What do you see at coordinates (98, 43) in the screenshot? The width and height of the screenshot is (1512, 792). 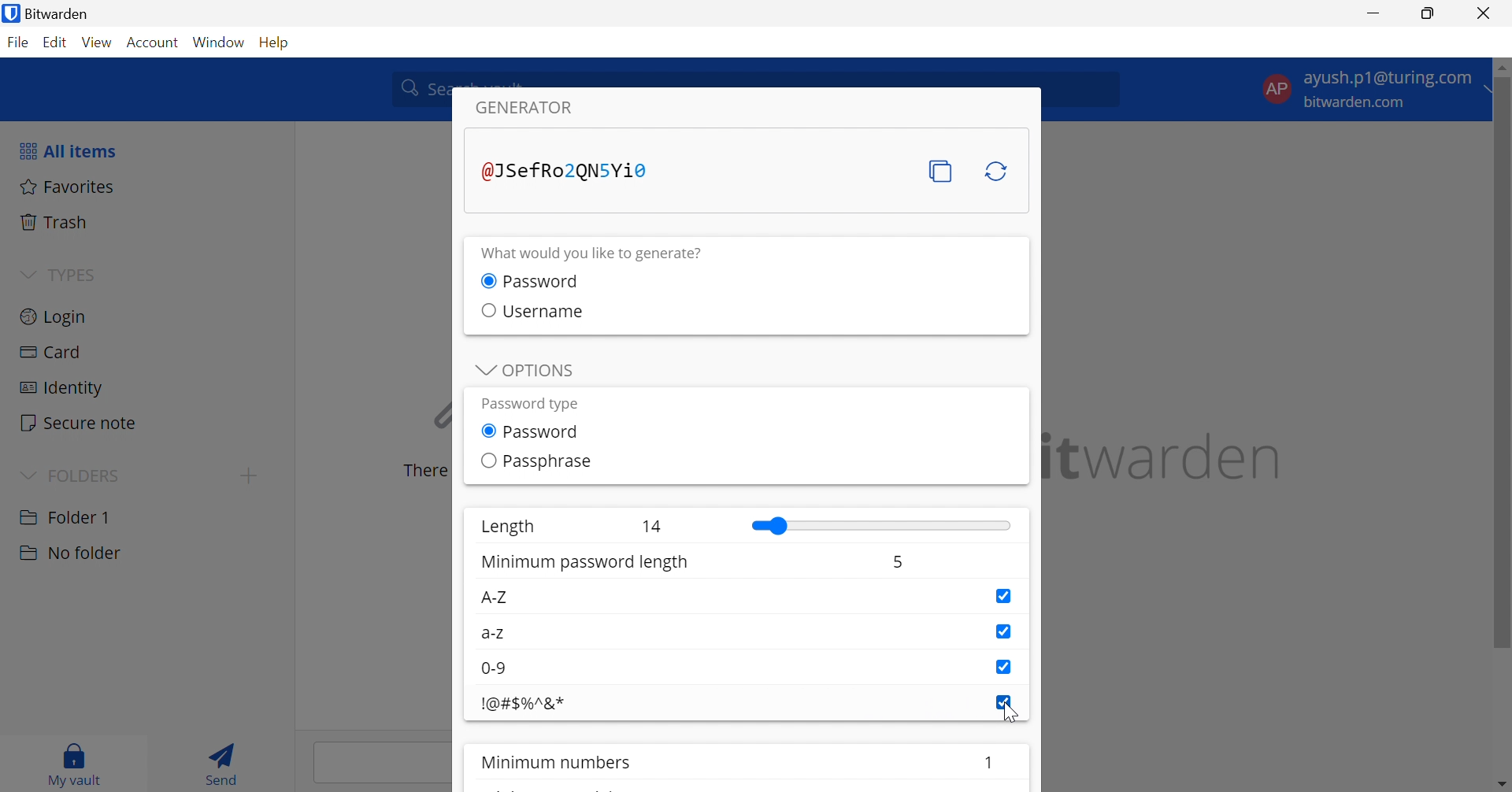 I see `View` at bounding box center [98, 43].